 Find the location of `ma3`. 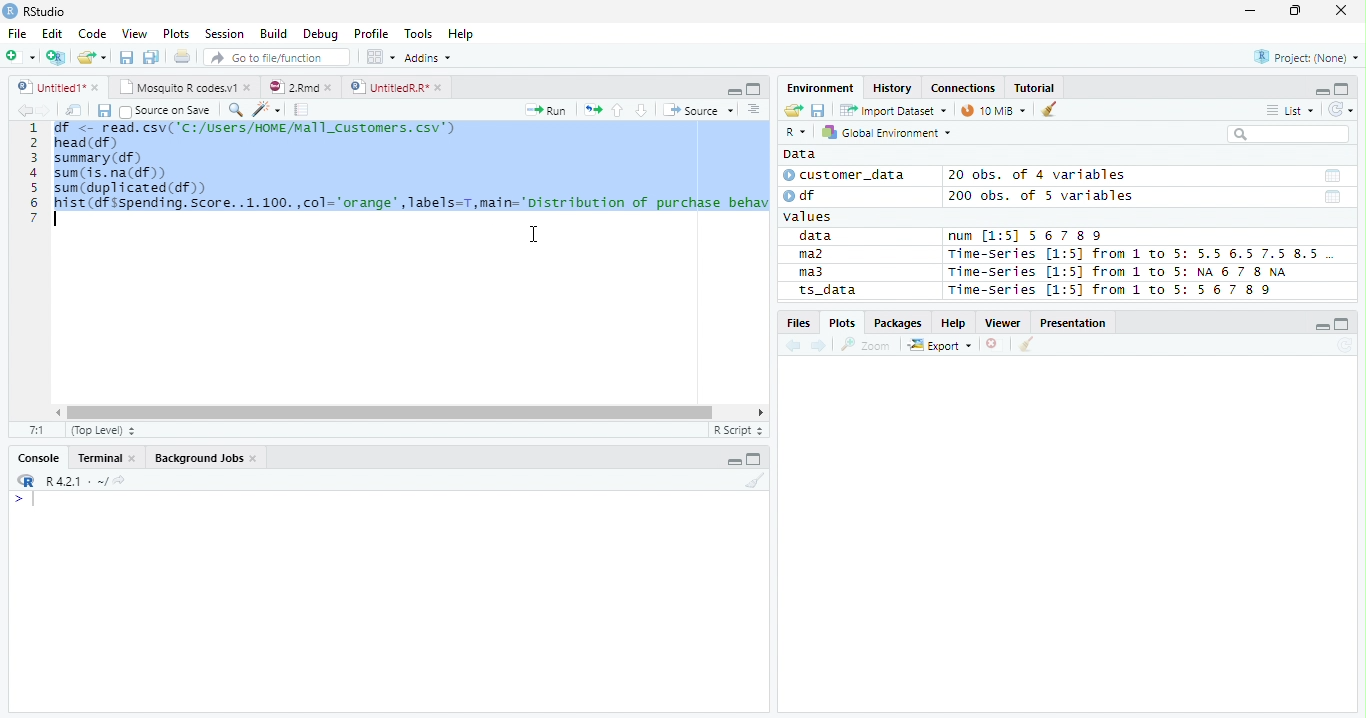

ma3 is located at coordinates (816, 272).